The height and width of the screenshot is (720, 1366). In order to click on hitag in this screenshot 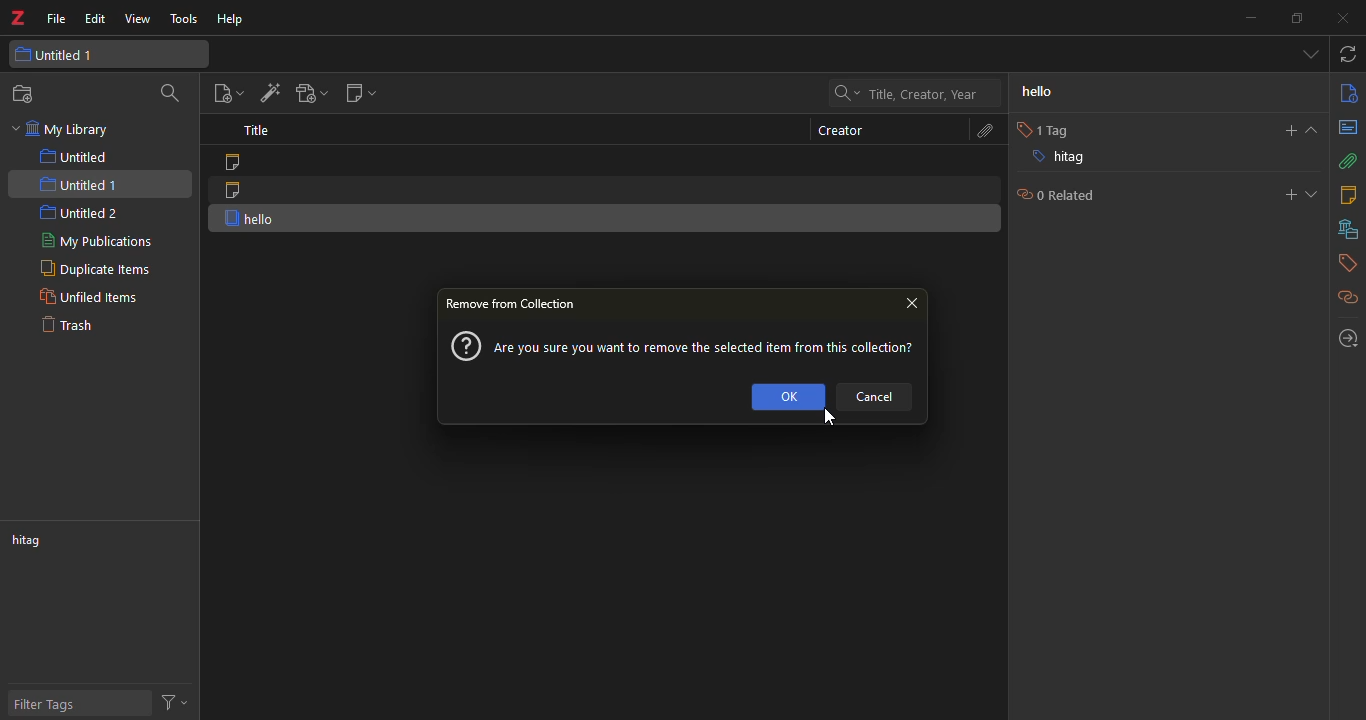, I will do `click(1056, 160)`.